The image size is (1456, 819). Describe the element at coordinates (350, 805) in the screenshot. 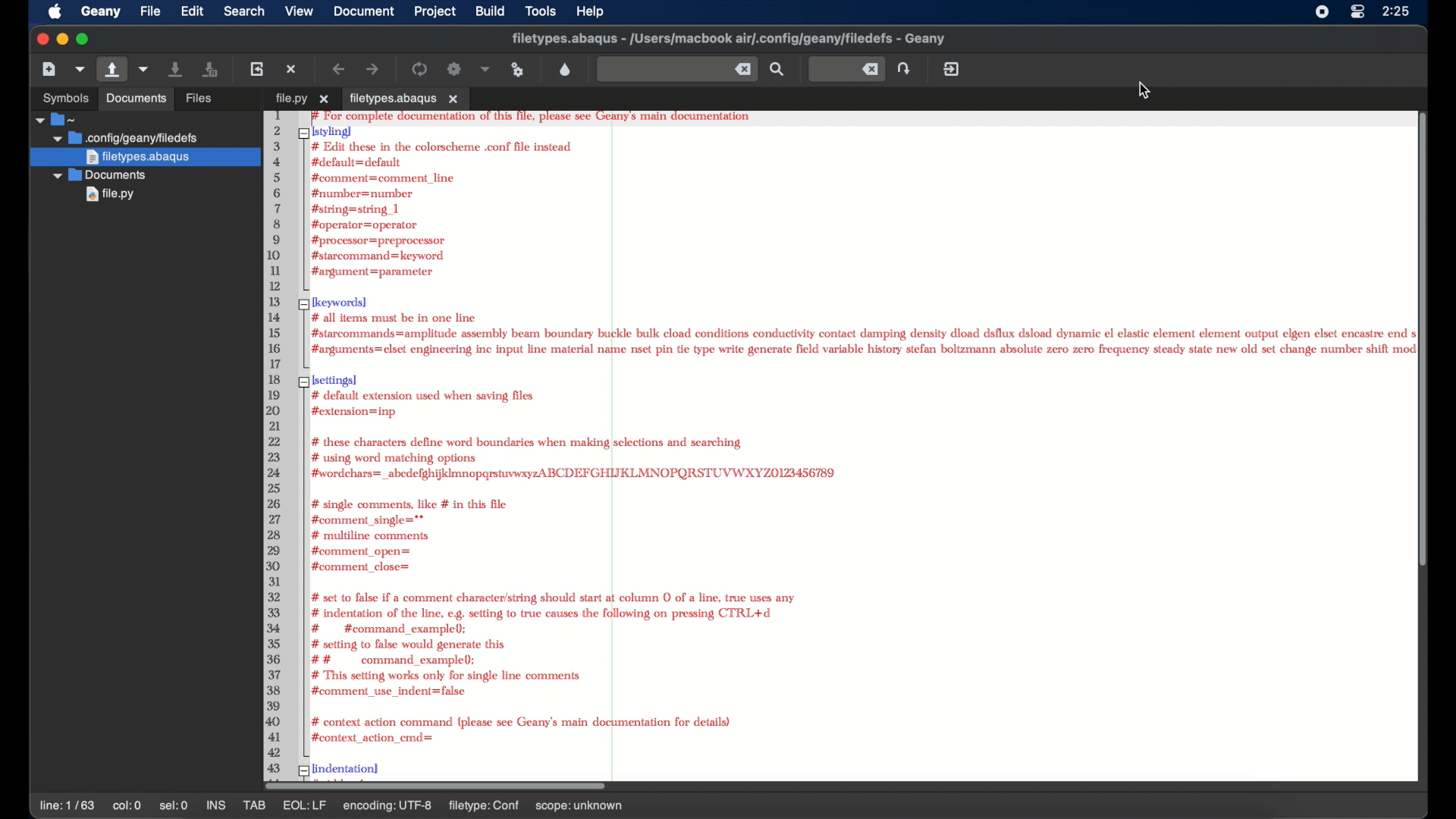

I see `eql:lf` at that location.